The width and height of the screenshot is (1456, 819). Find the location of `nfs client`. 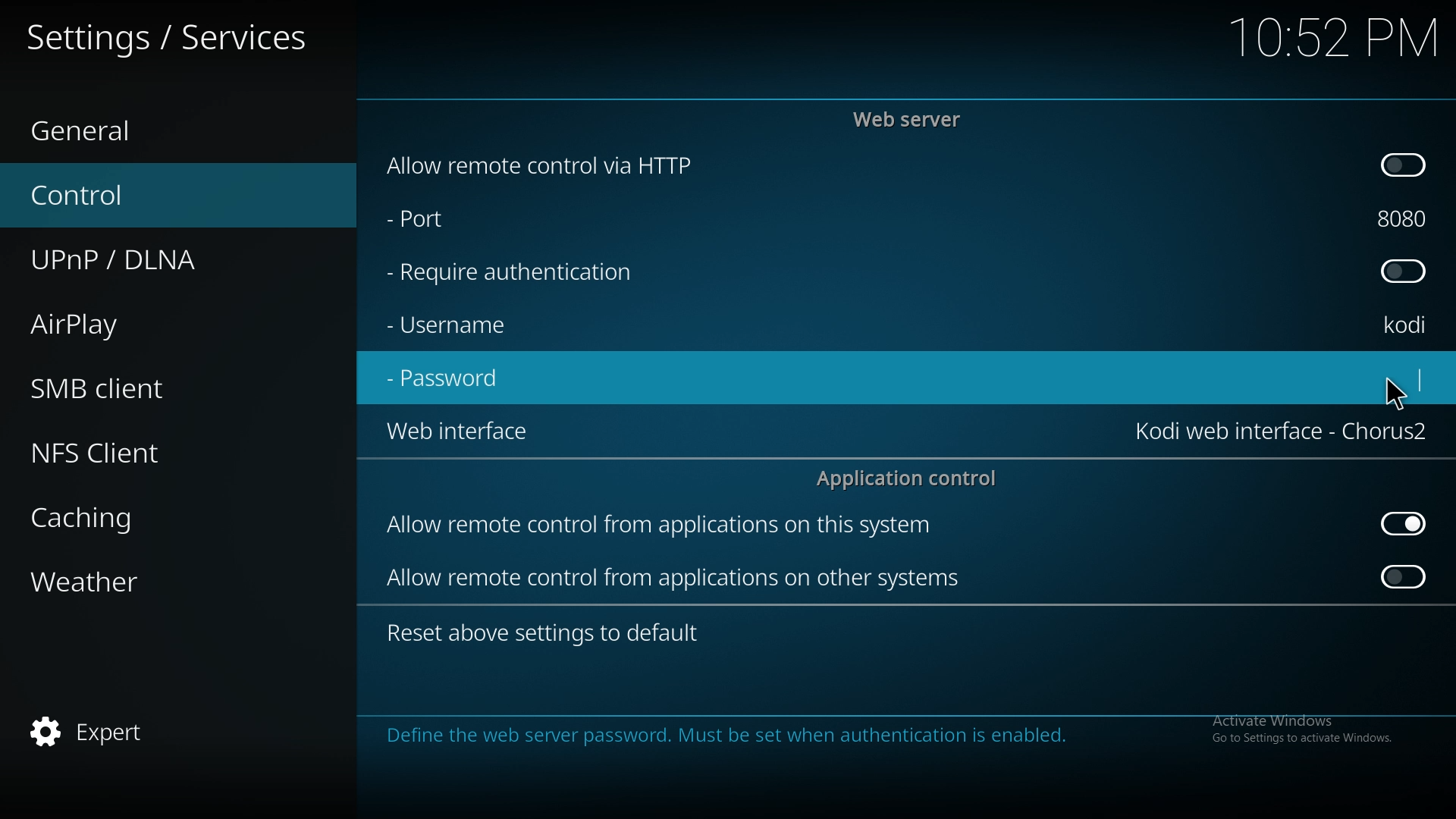

nfs client is located at coordinates (159, 451).